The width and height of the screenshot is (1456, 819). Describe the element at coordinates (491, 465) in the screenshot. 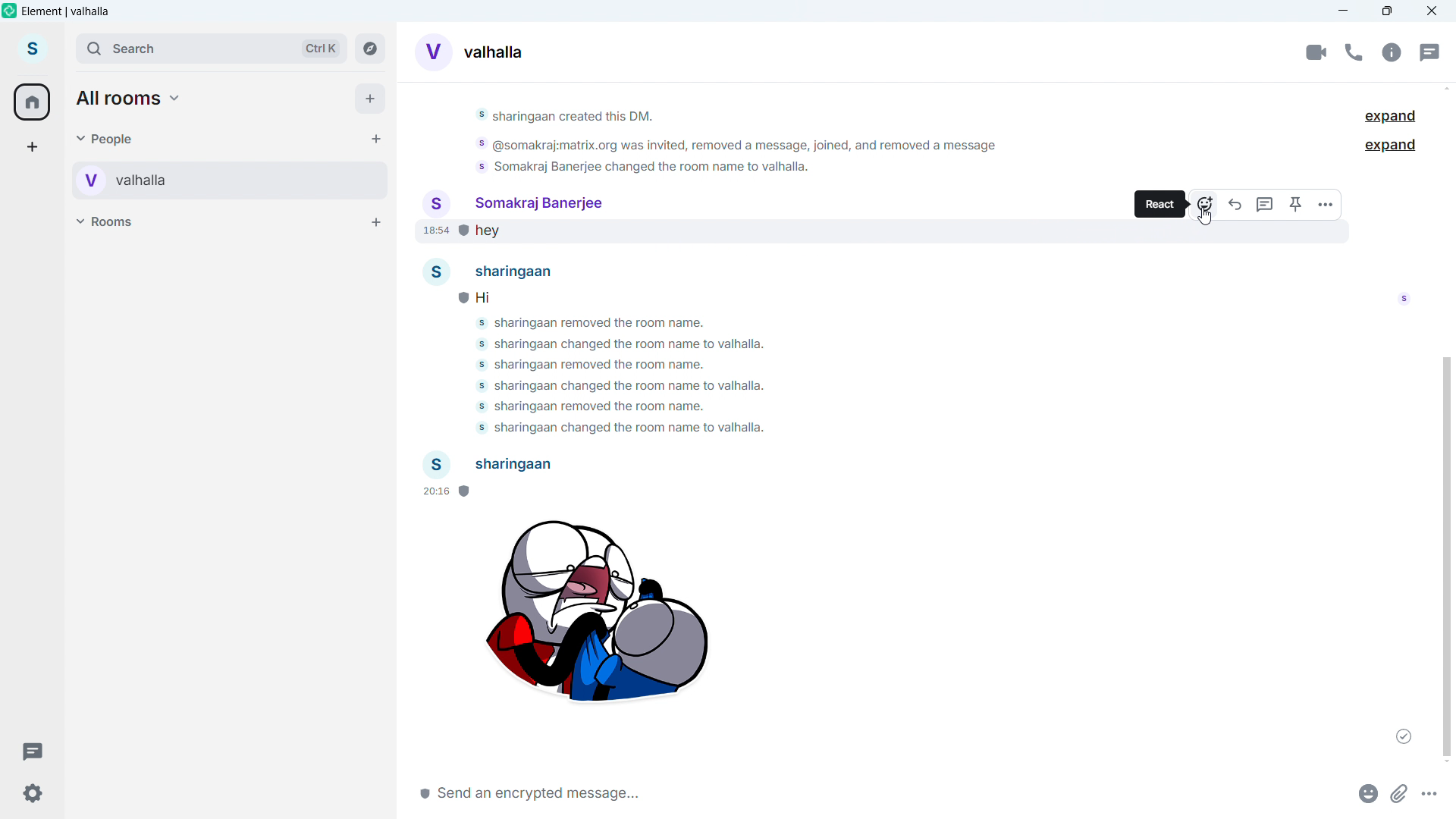

I see `Participant 2` at that location.